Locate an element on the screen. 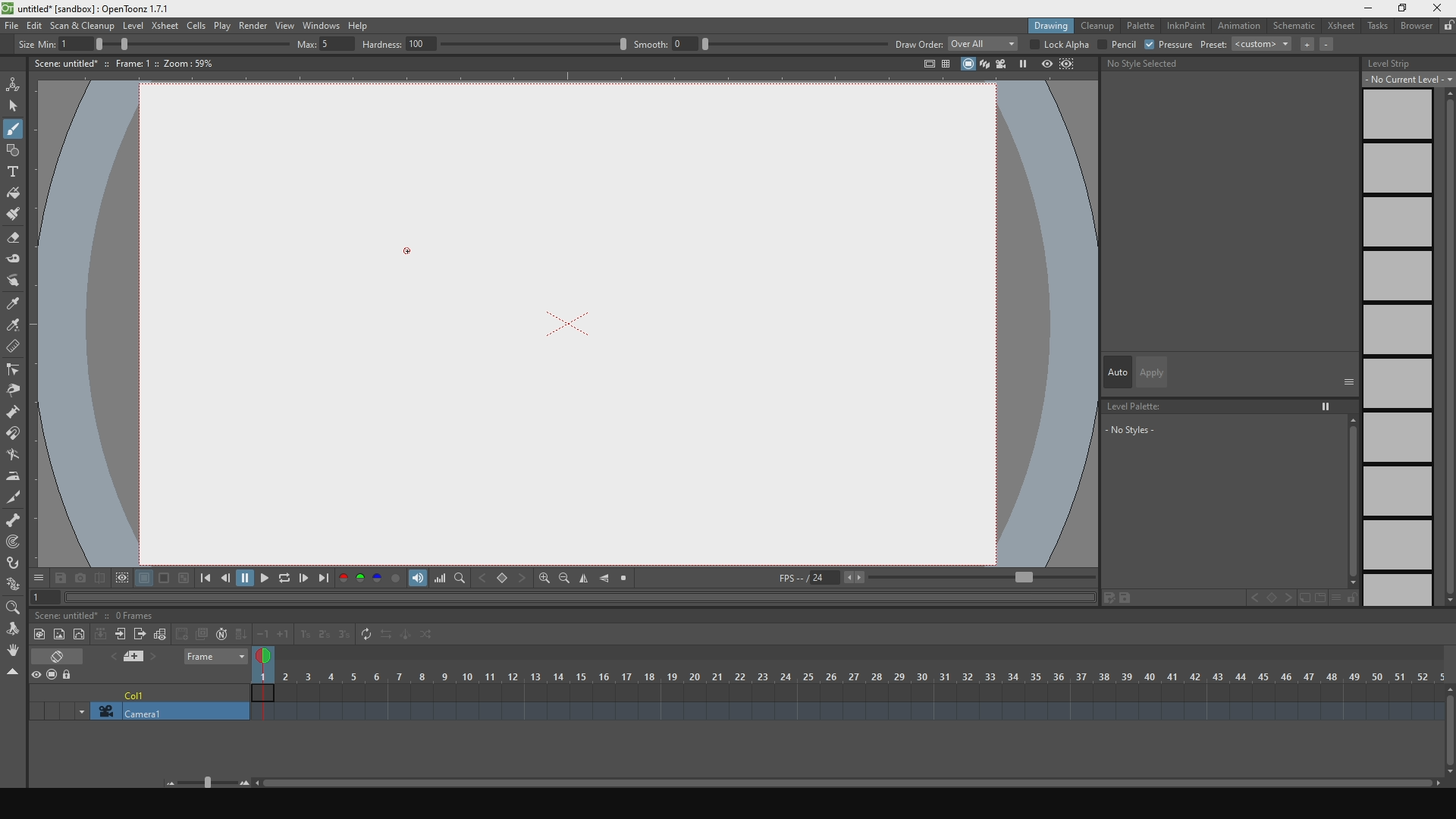  go backwards is located at coordinates (224, 579).